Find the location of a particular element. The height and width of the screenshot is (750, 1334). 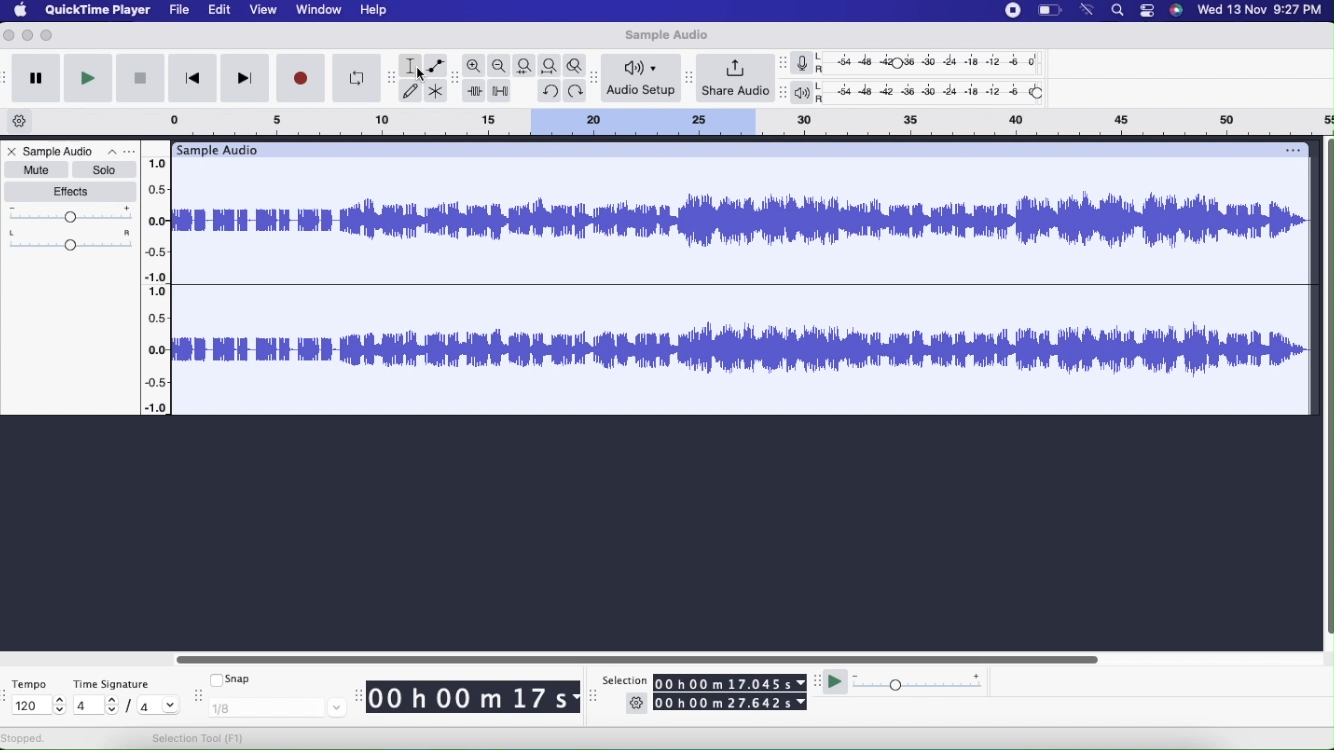

Multi-tool is located at coordinates (437, 92).